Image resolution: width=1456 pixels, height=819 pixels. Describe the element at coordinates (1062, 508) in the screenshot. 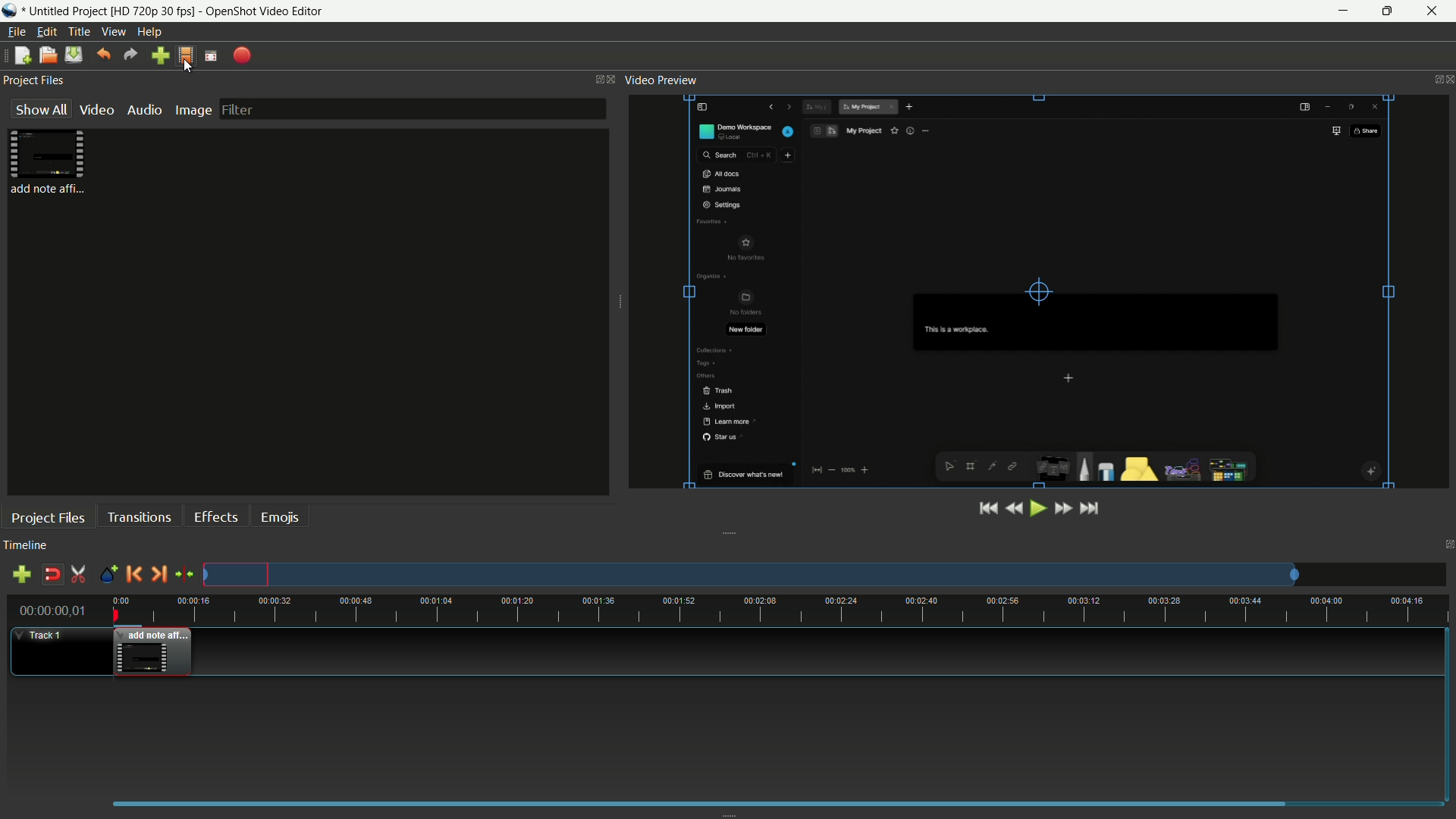

I see `fast forward` at that location.